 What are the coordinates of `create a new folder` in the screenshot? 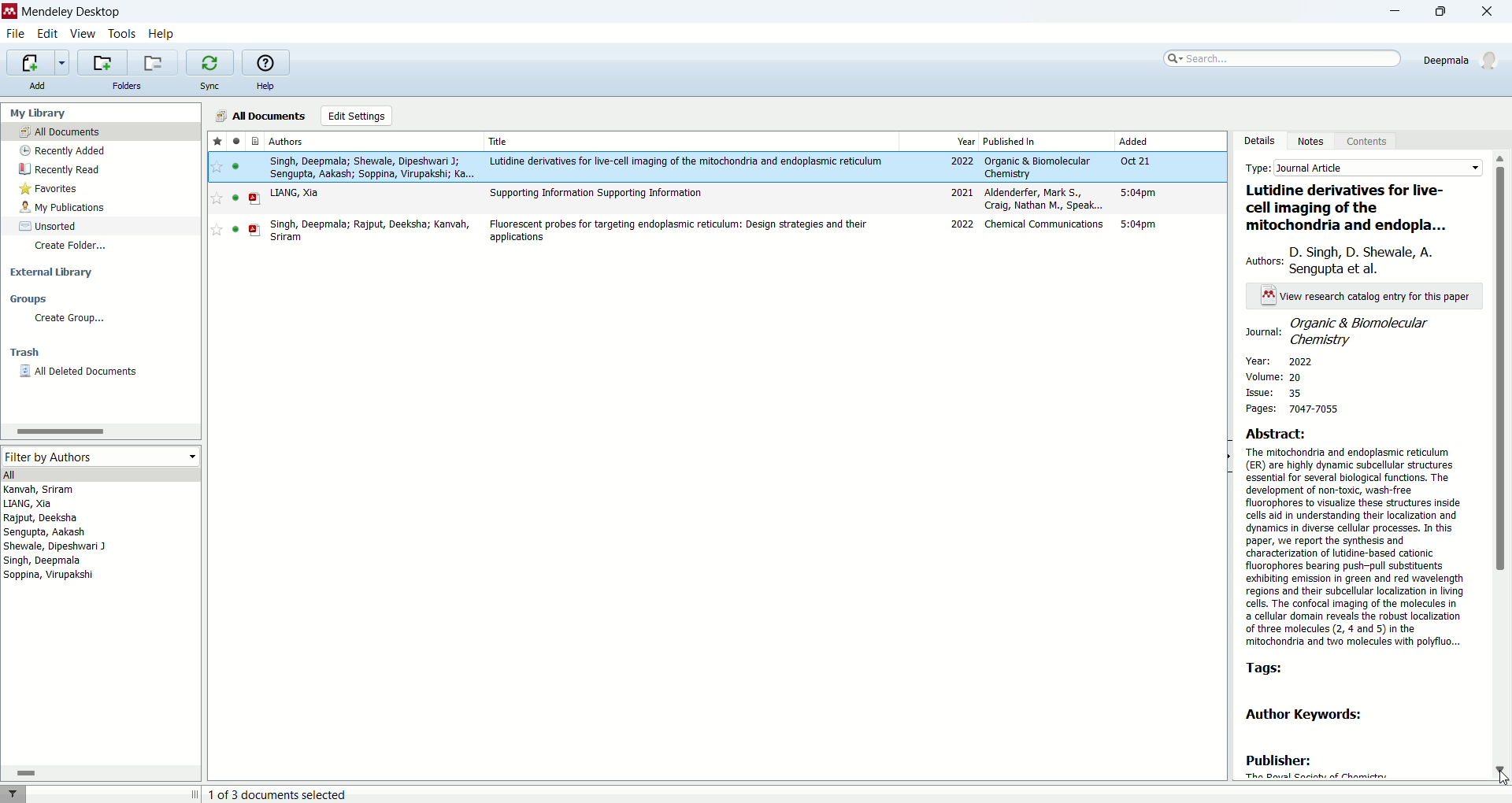 It's located at (101, 62).